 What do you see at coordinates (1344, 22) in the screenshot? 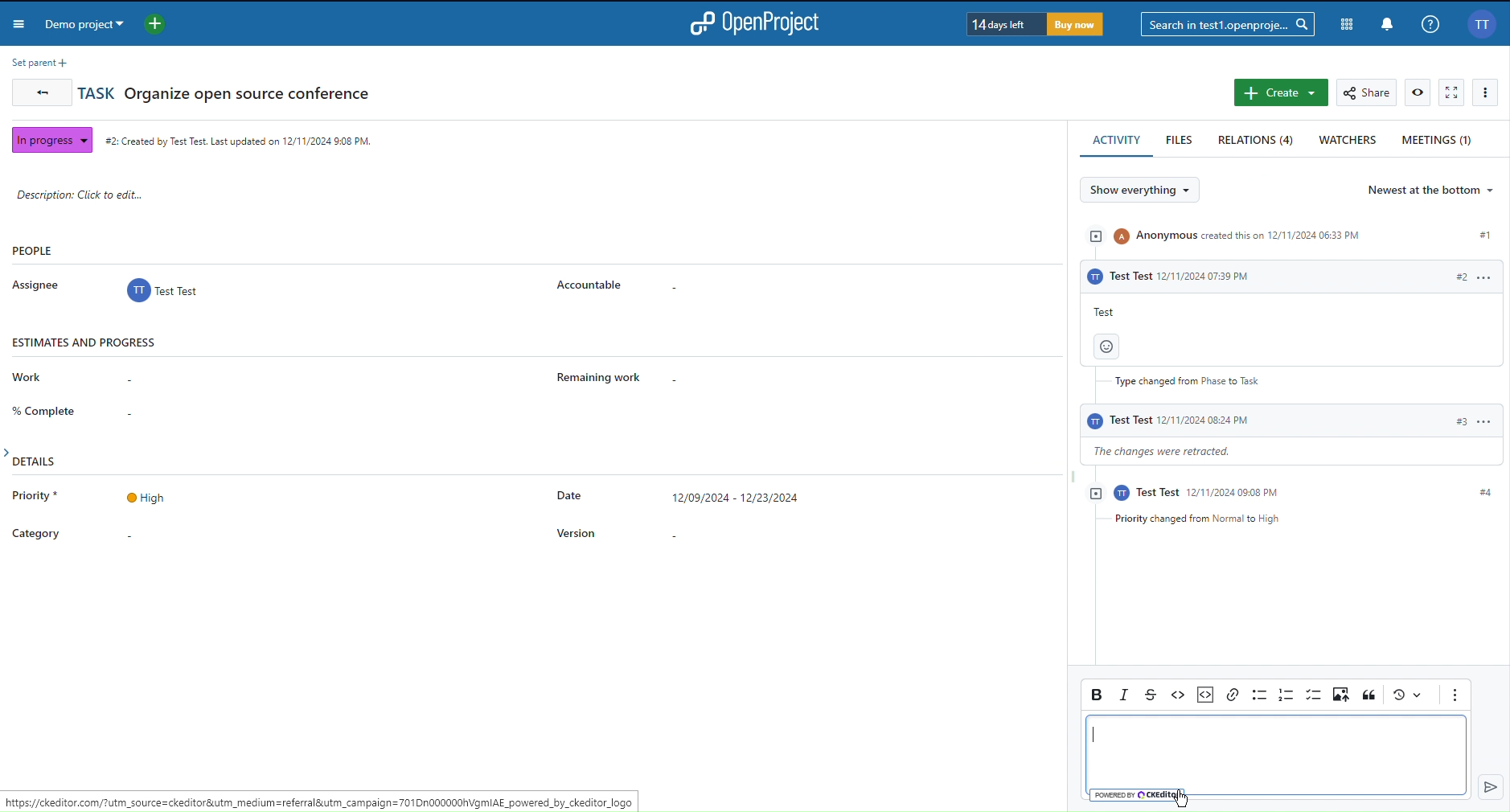
I see `Modules` at bounding box center [1344, 22].